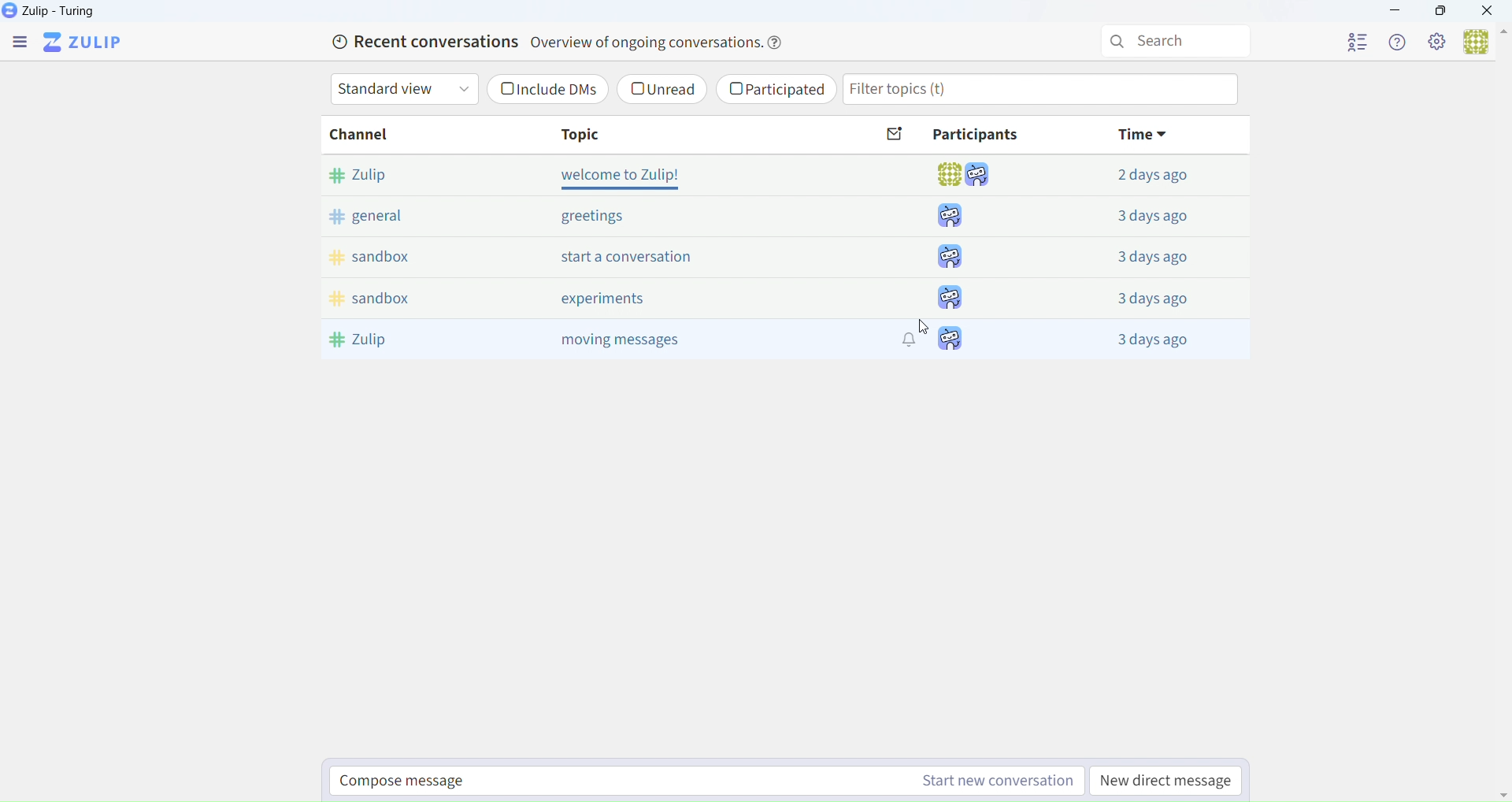  Describe the element at coordinates (376, 217) in the screenshot. I see `general` at that location.